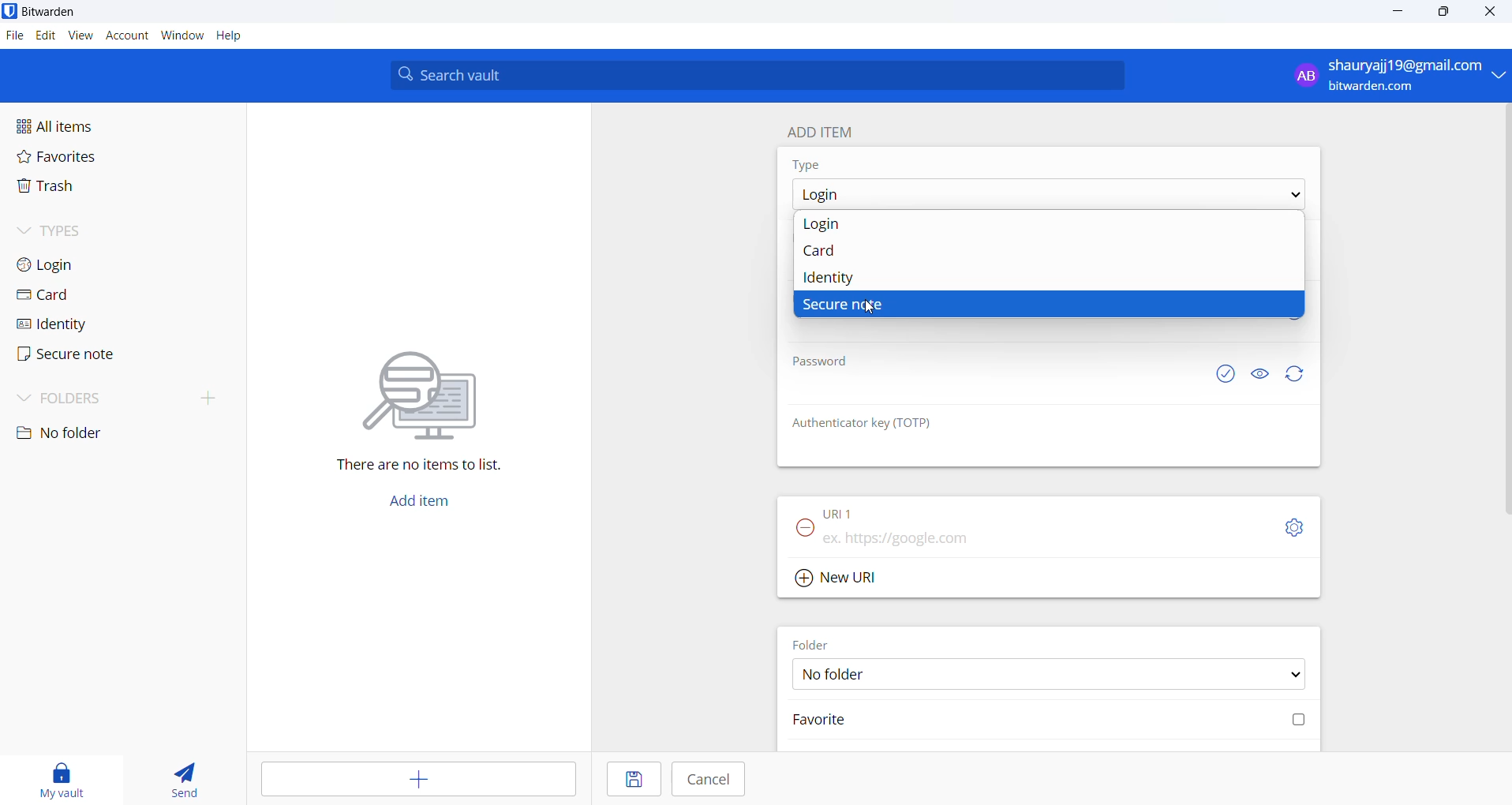 This screenshot has width=1512, height=805. I want to click on Add new URL button, so click(830, 579).